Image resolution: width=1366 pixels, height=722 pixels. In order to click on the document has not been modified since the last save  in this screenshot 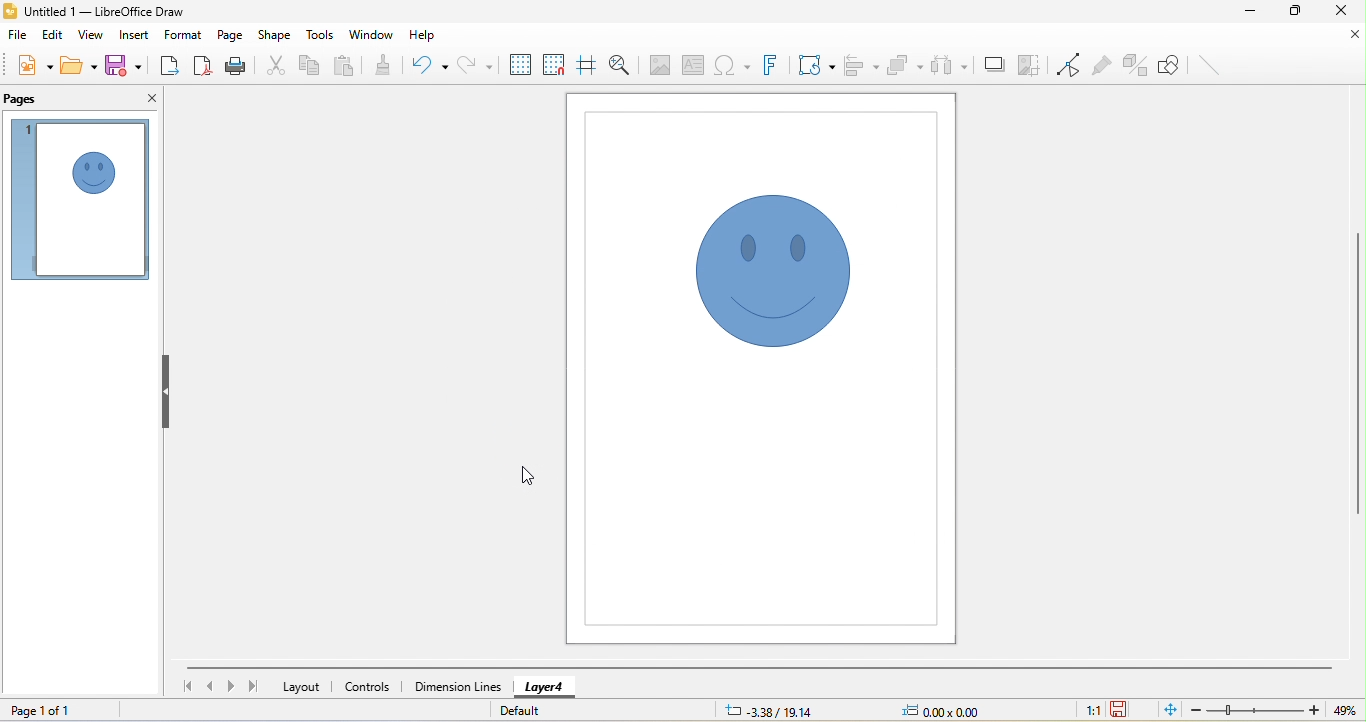, I will do `click(1126, 710)`.